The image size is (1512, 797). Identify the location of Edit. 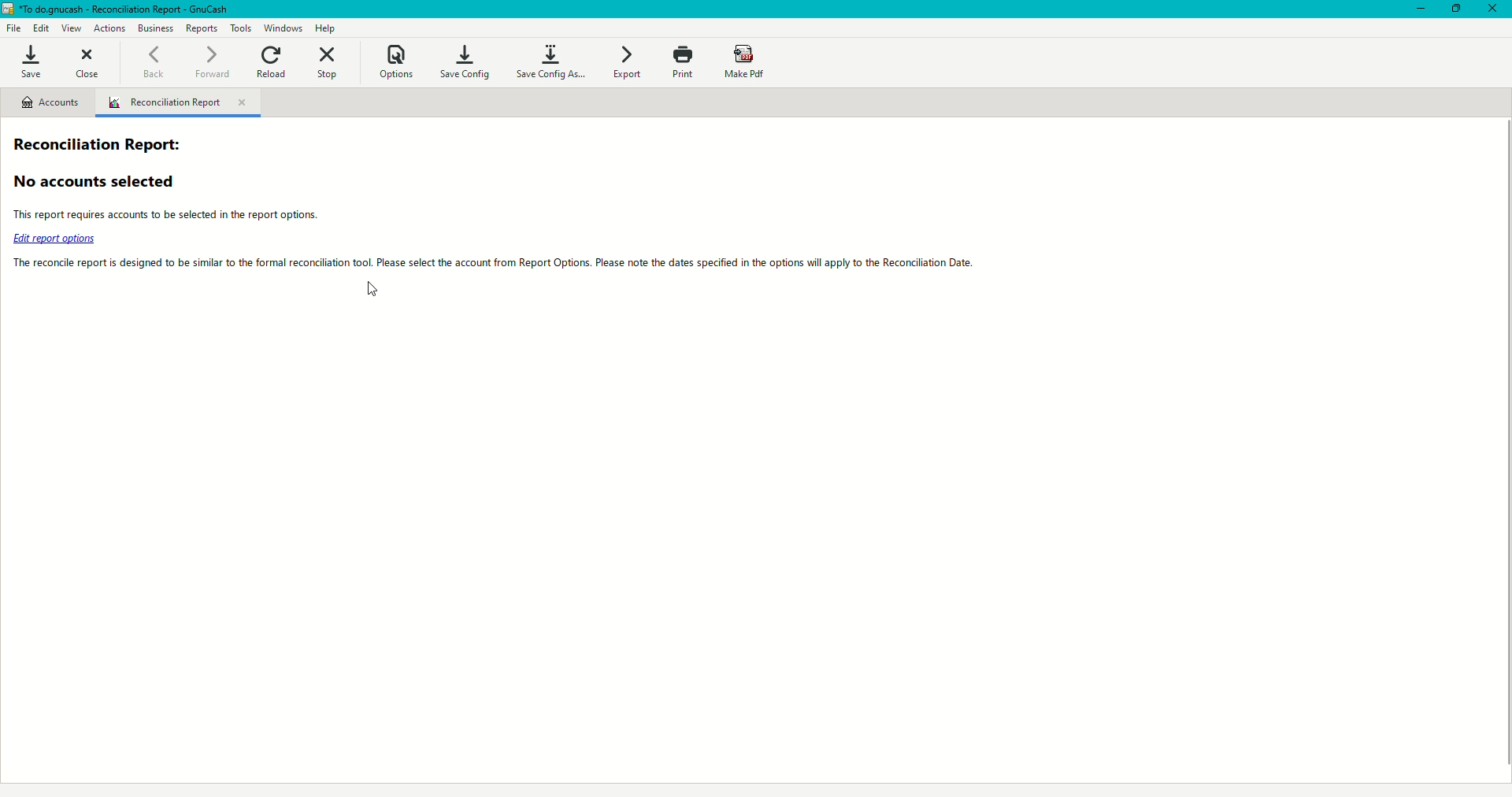
(43, 27).